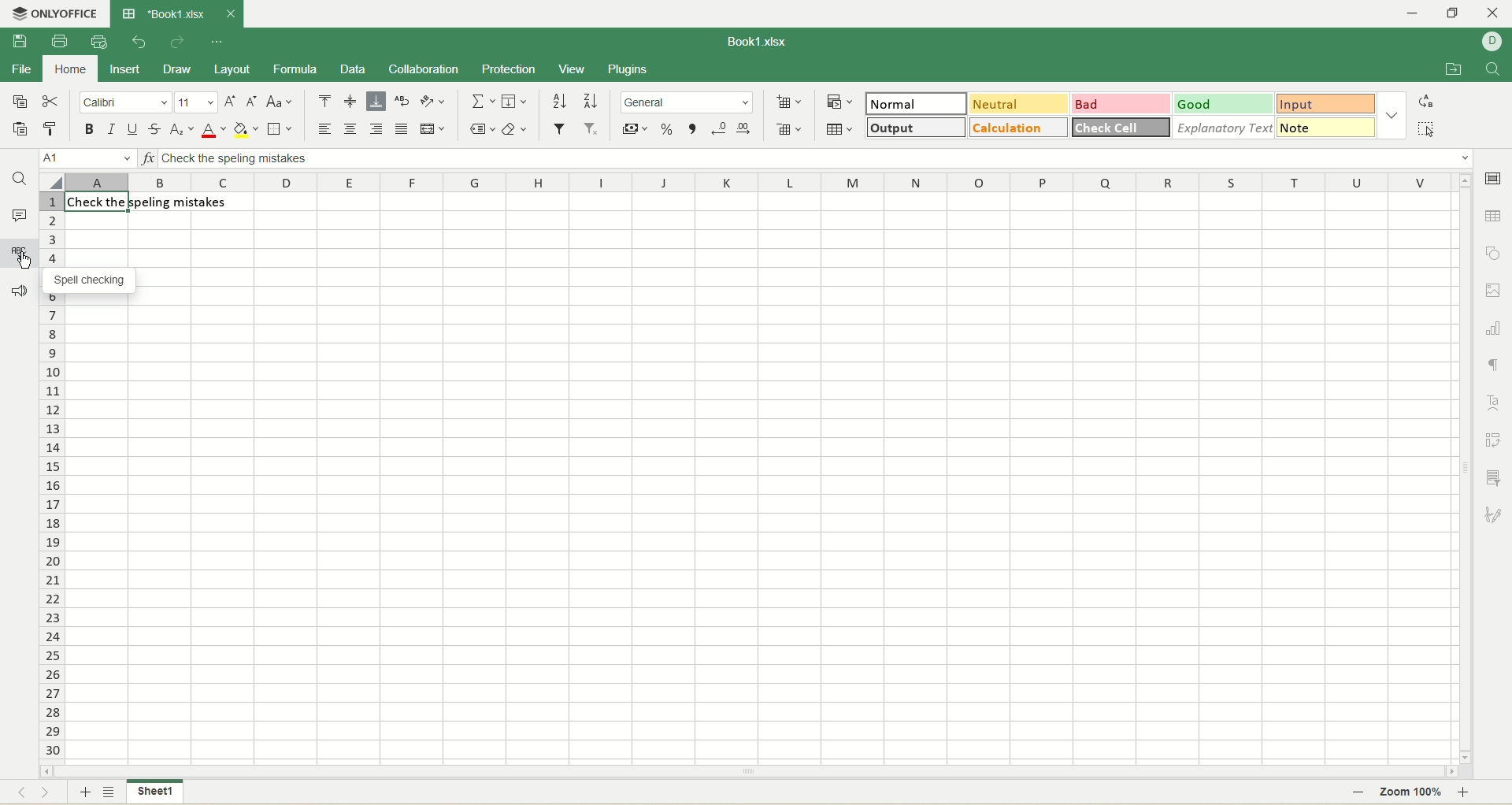 This screenshot has height=805, width=1512. Describe the element at coordinates (591, 101) in the screenshot. I see `sort descending` at that location.